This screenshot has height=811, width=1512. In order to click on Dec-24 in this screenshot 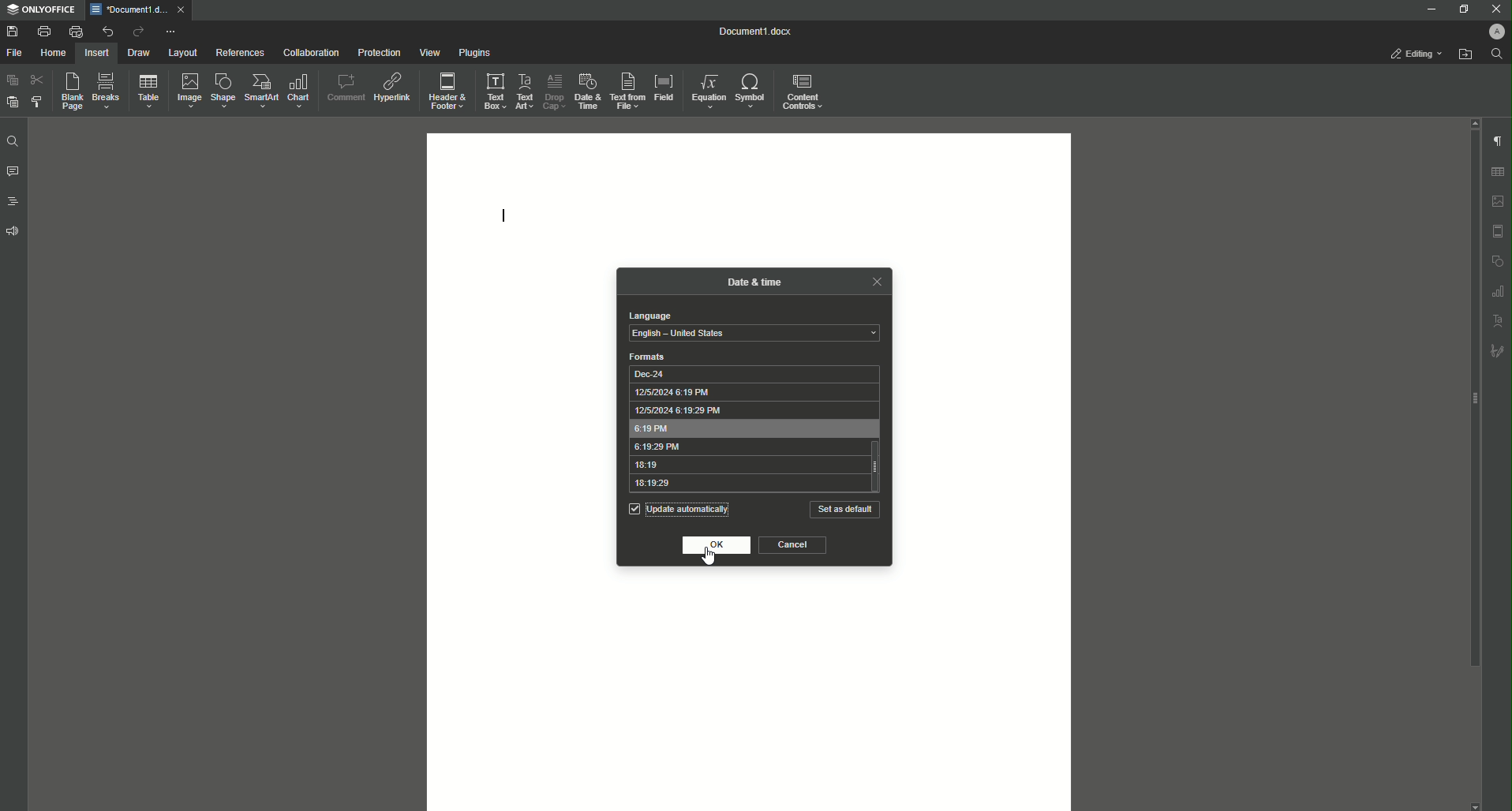, I will do `click(747, 373)`.